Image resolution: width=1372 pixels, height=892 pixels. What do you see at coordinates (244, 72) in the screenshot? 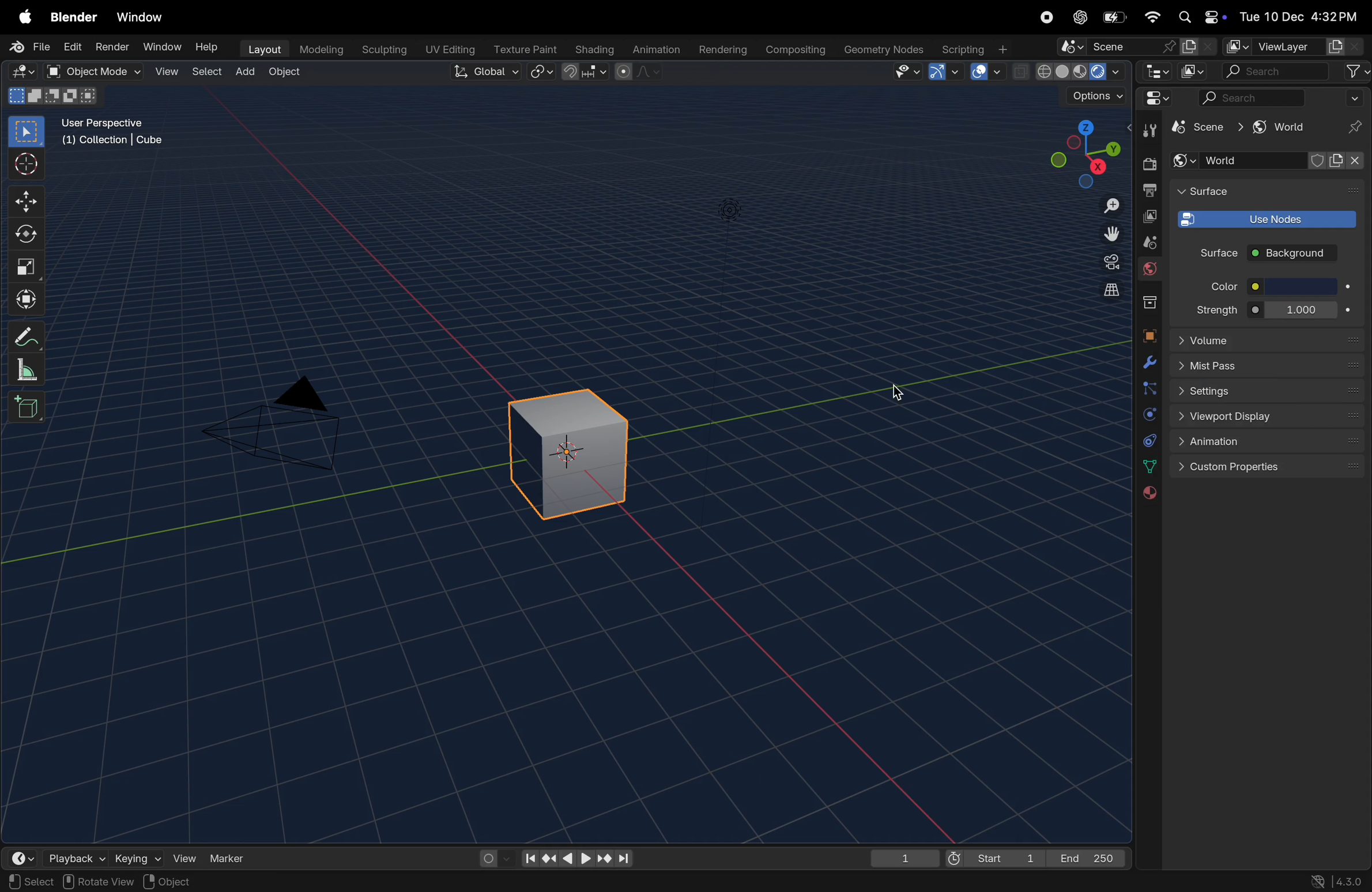
I see `` at bounding box center [244, 72].